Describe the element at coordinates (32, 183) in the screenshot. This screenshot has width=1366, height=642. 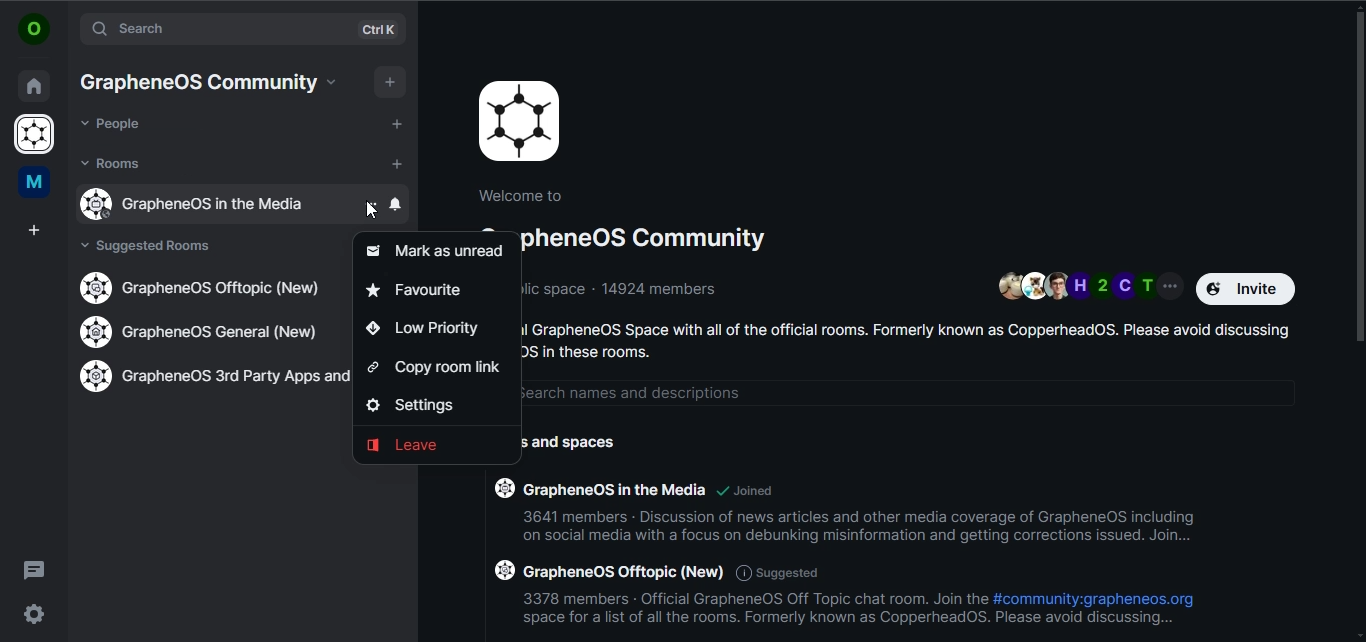
I see `me` at that location.